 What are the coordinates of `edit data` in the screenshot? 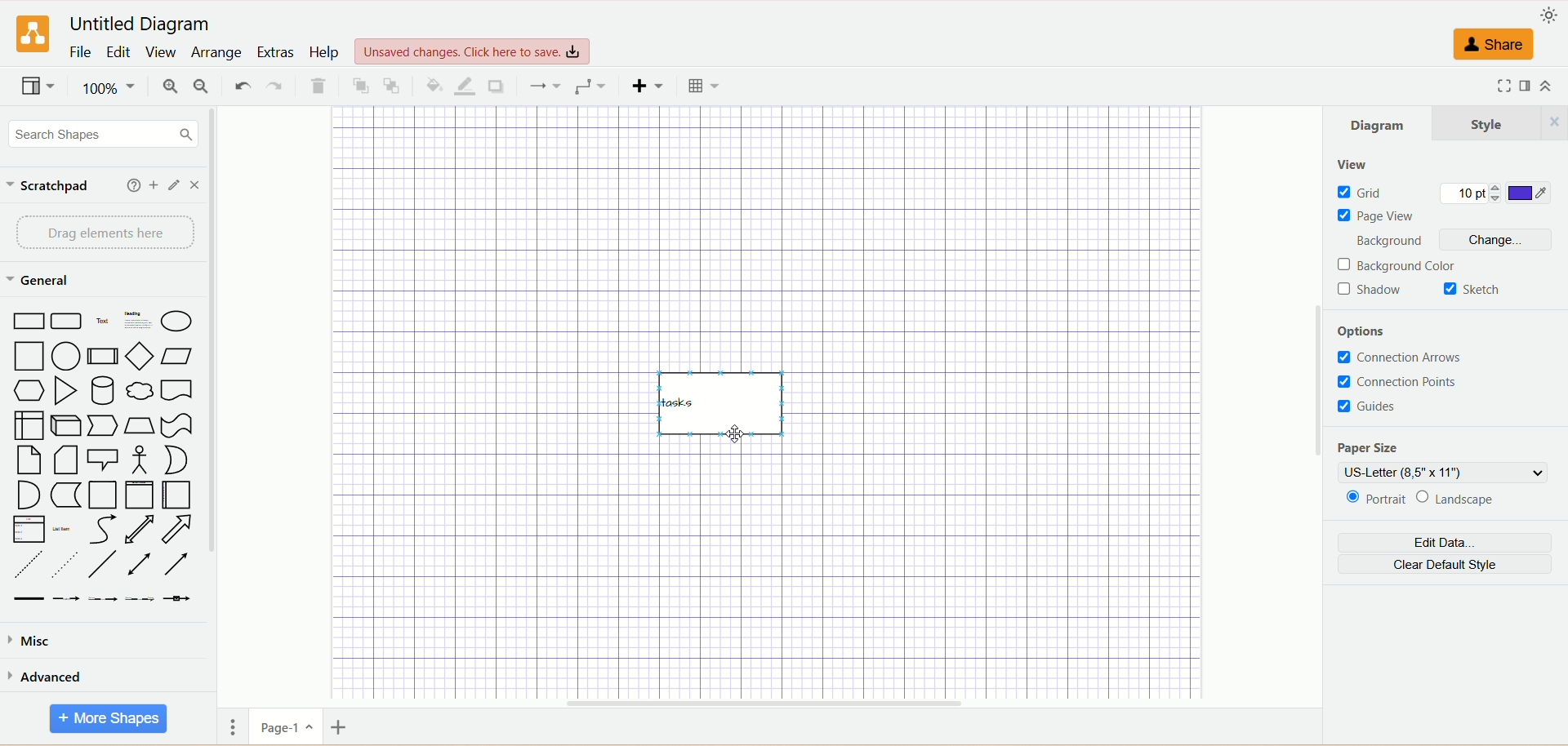 It's located at (1443, 544).